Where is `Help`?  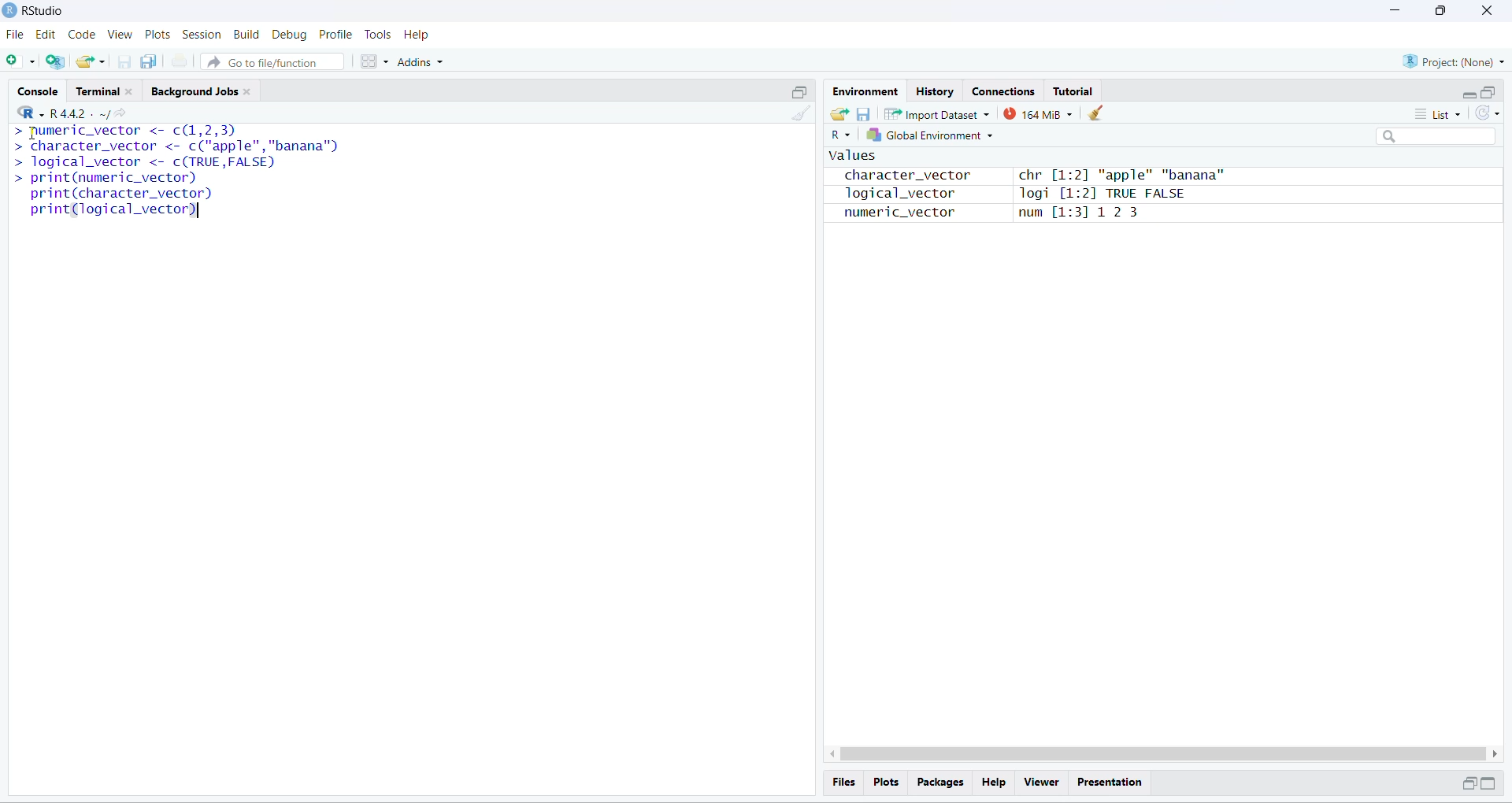 Help is located at coordinates (418, 35).